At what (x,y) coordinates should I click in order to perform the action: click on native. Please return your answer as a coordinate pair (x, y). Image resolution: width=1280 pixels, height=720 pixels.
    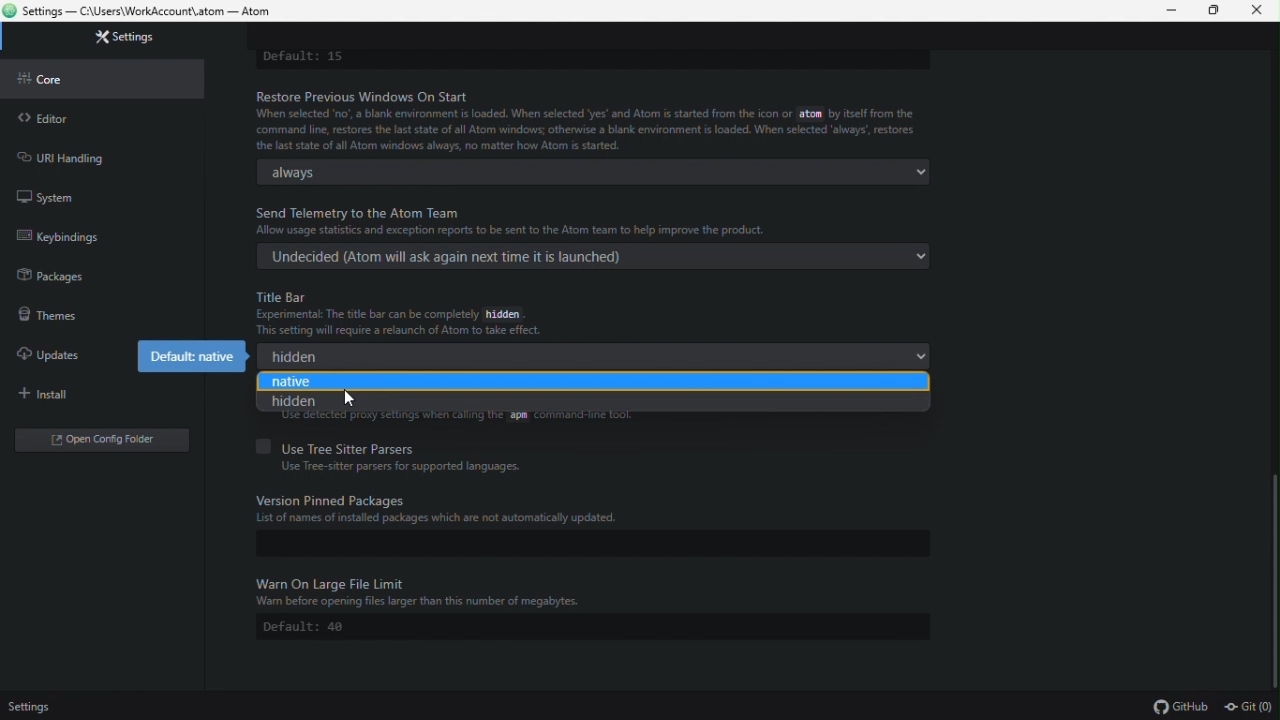
    Looking at the image, I should click on (587, 384).